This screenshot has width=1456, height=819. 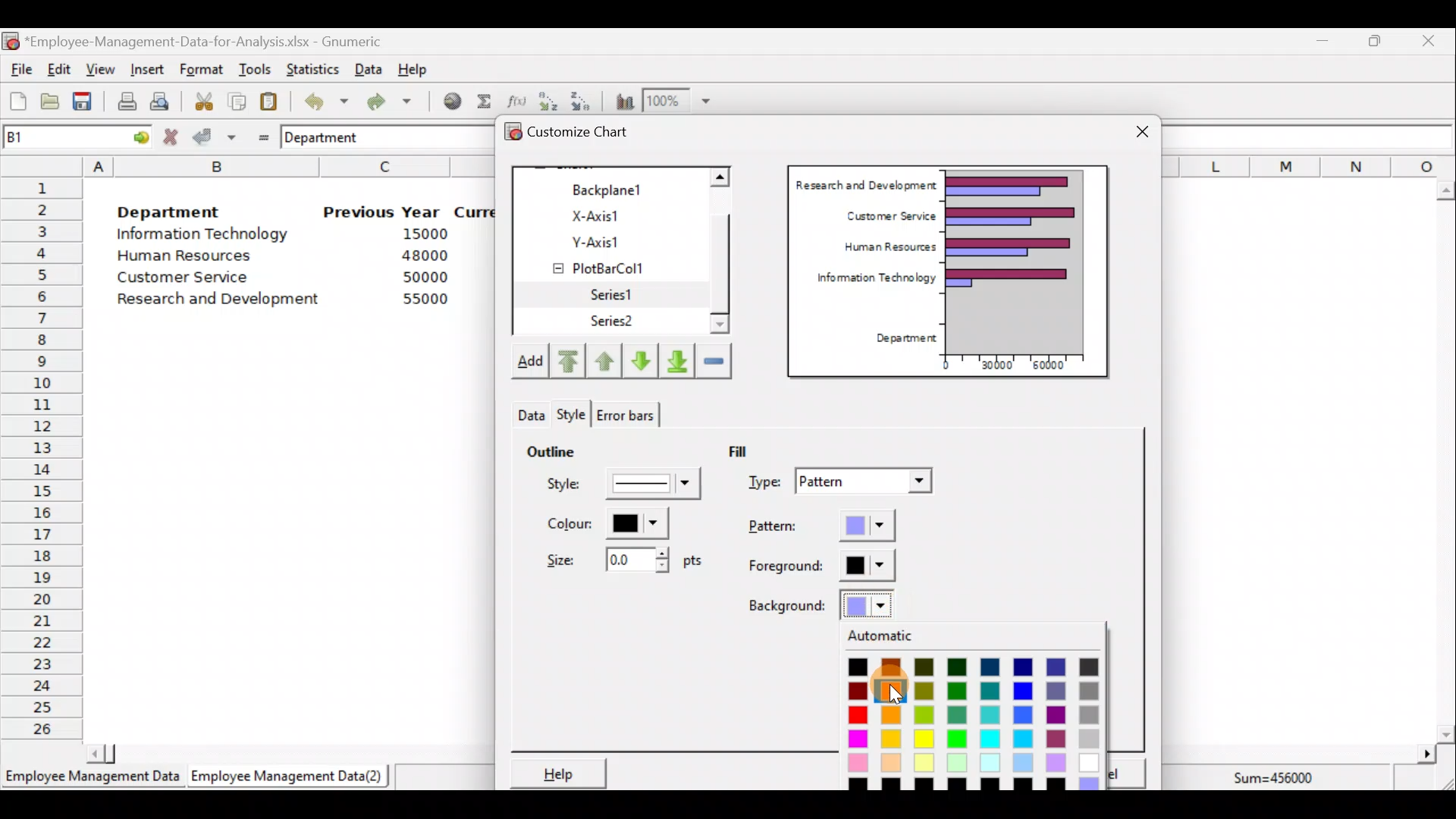 What do you see at coordinates (215, 136) in the screenshot?
I see `Accept change` at bounding box center [215, 136].